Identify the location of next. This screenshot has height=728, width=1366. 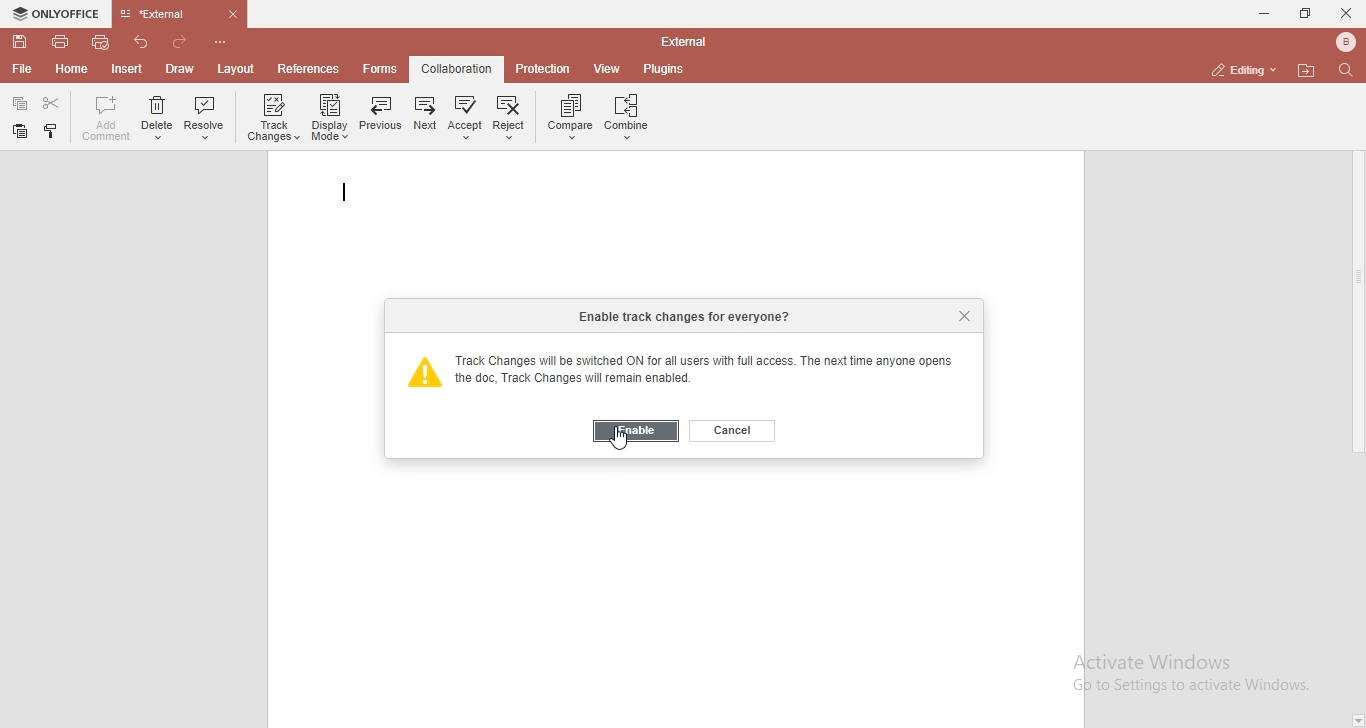
(423, 117).